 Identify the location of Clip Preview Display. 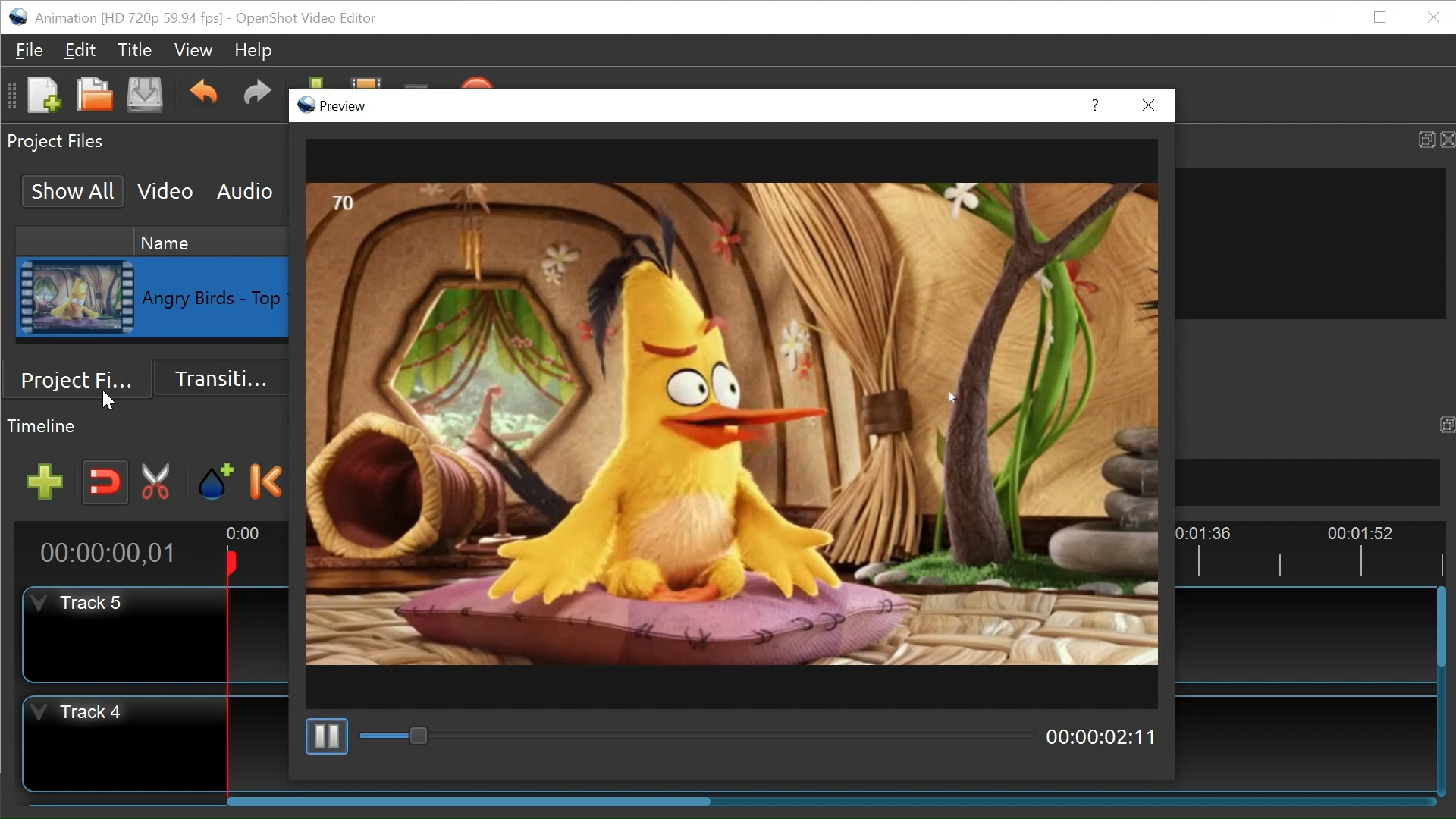
(734, 424).